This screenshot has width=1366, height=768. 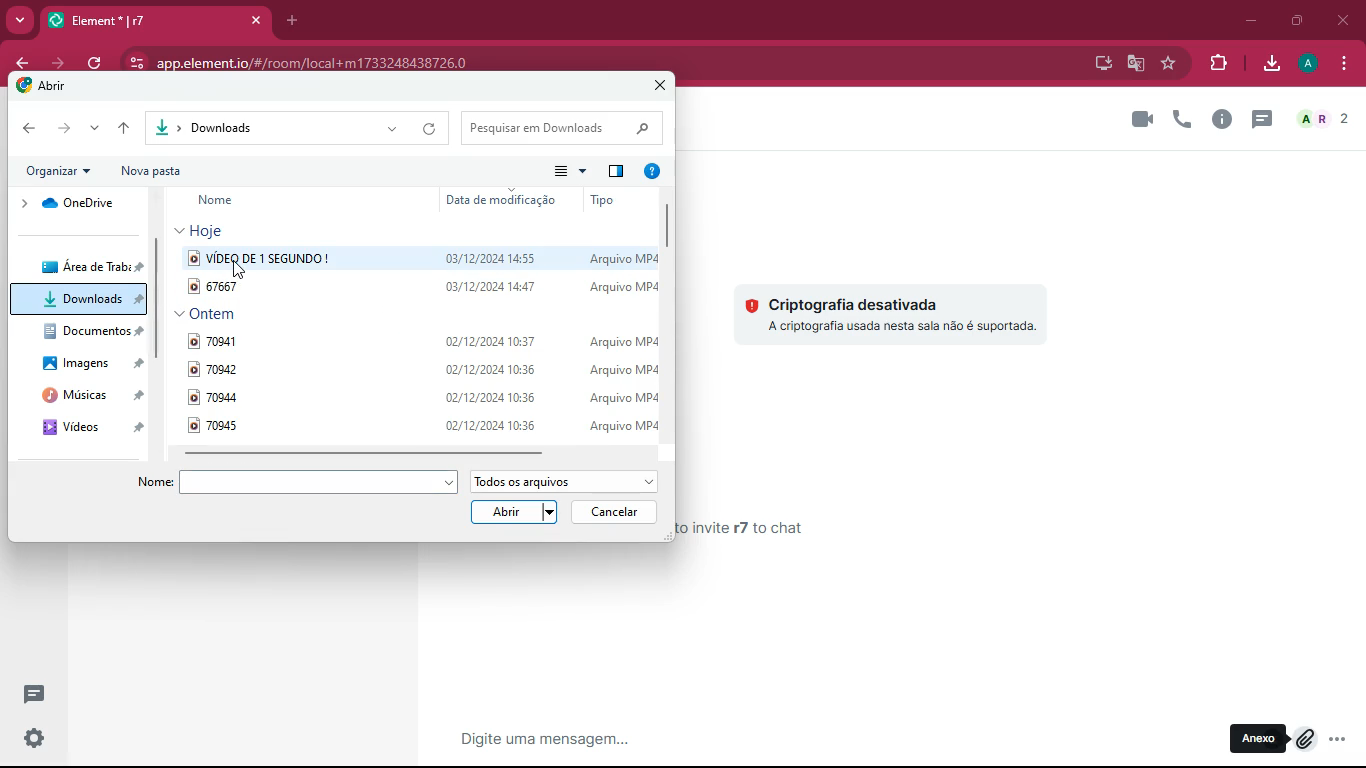 I want to click on criptografia desativada a criptografia usada nesta sala nao e suportada, so click(x=895, y=310).